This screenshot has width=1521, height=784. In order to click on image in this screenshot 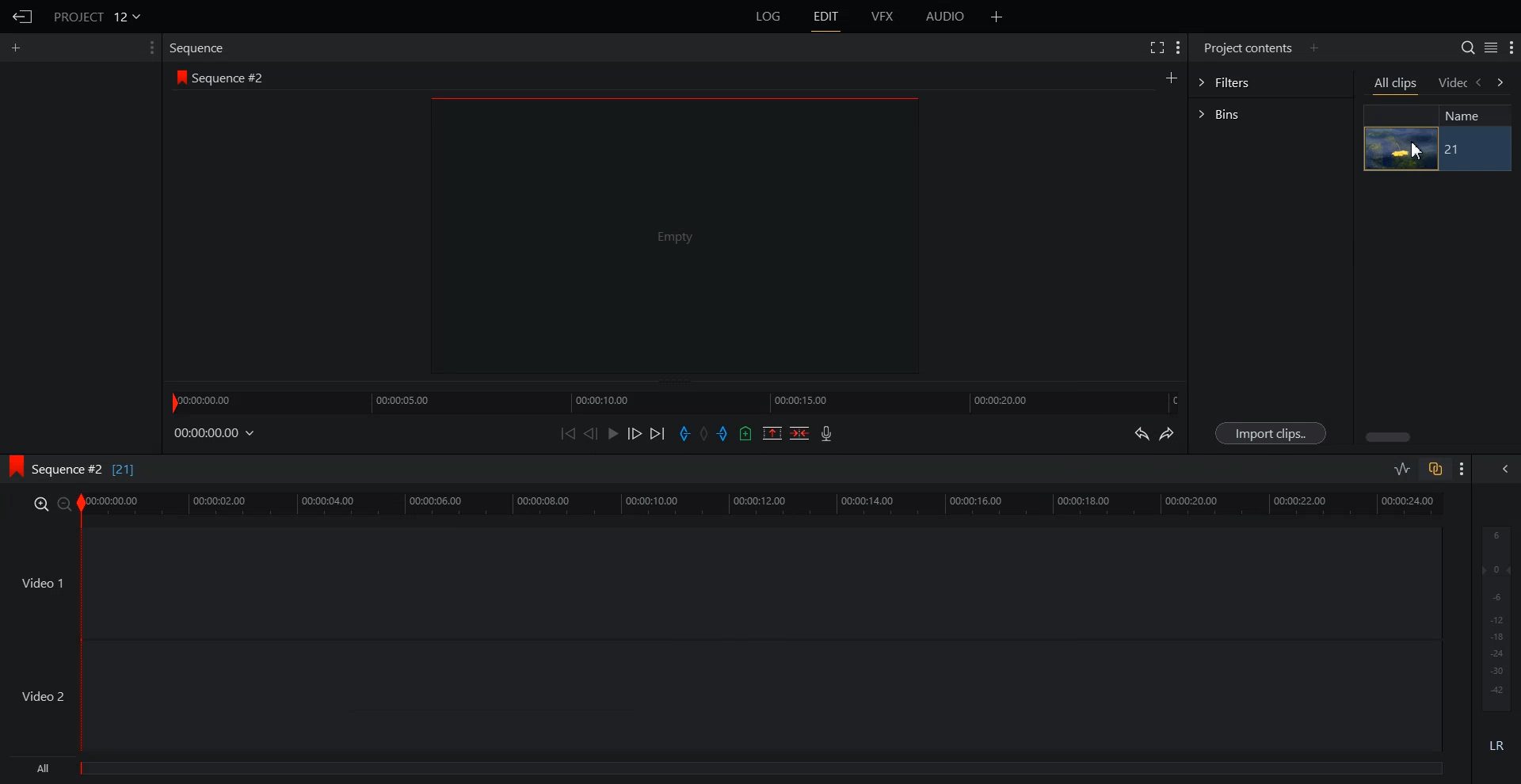, I will do `click(1401, 149)`.